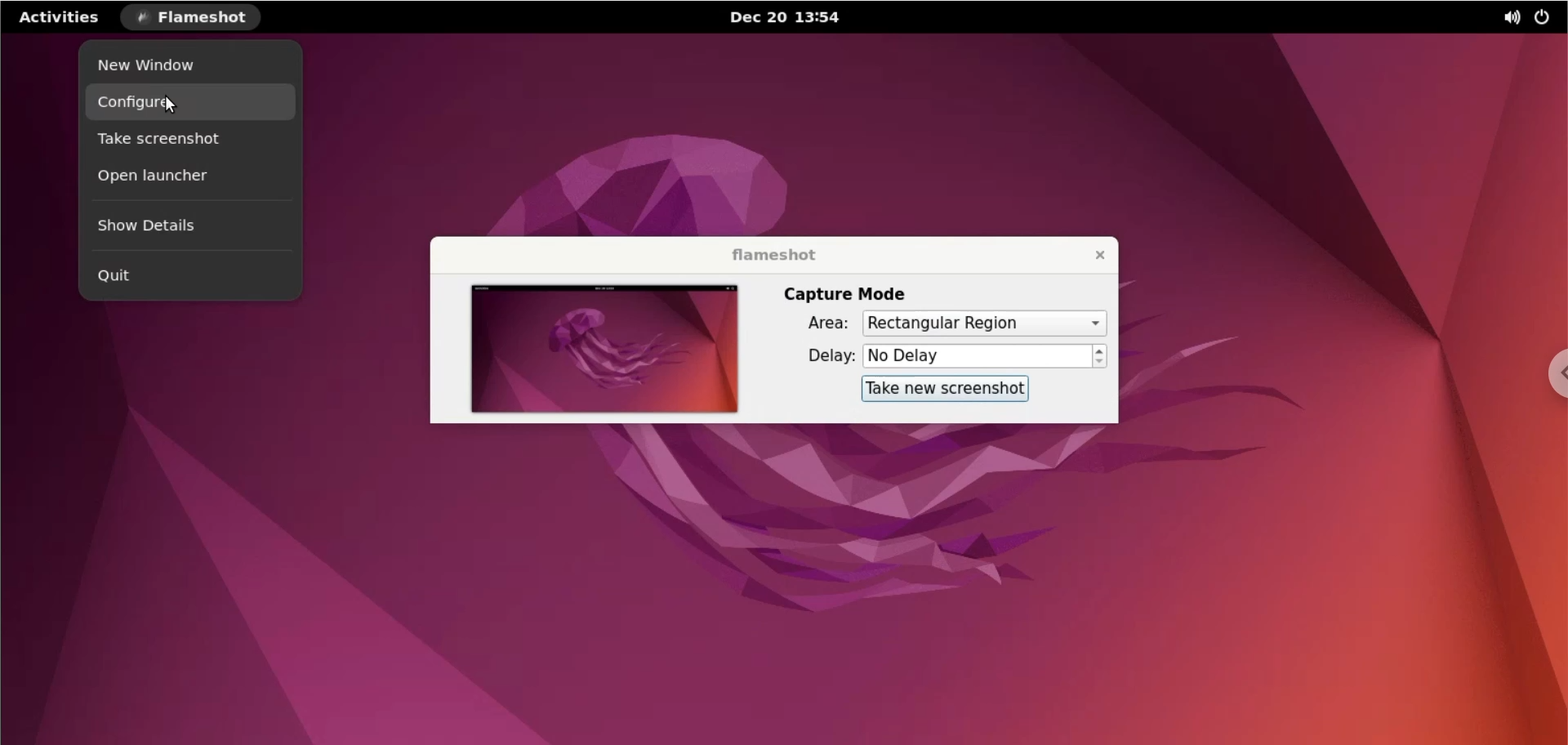  I want to click on configure options, so click(190, 101).